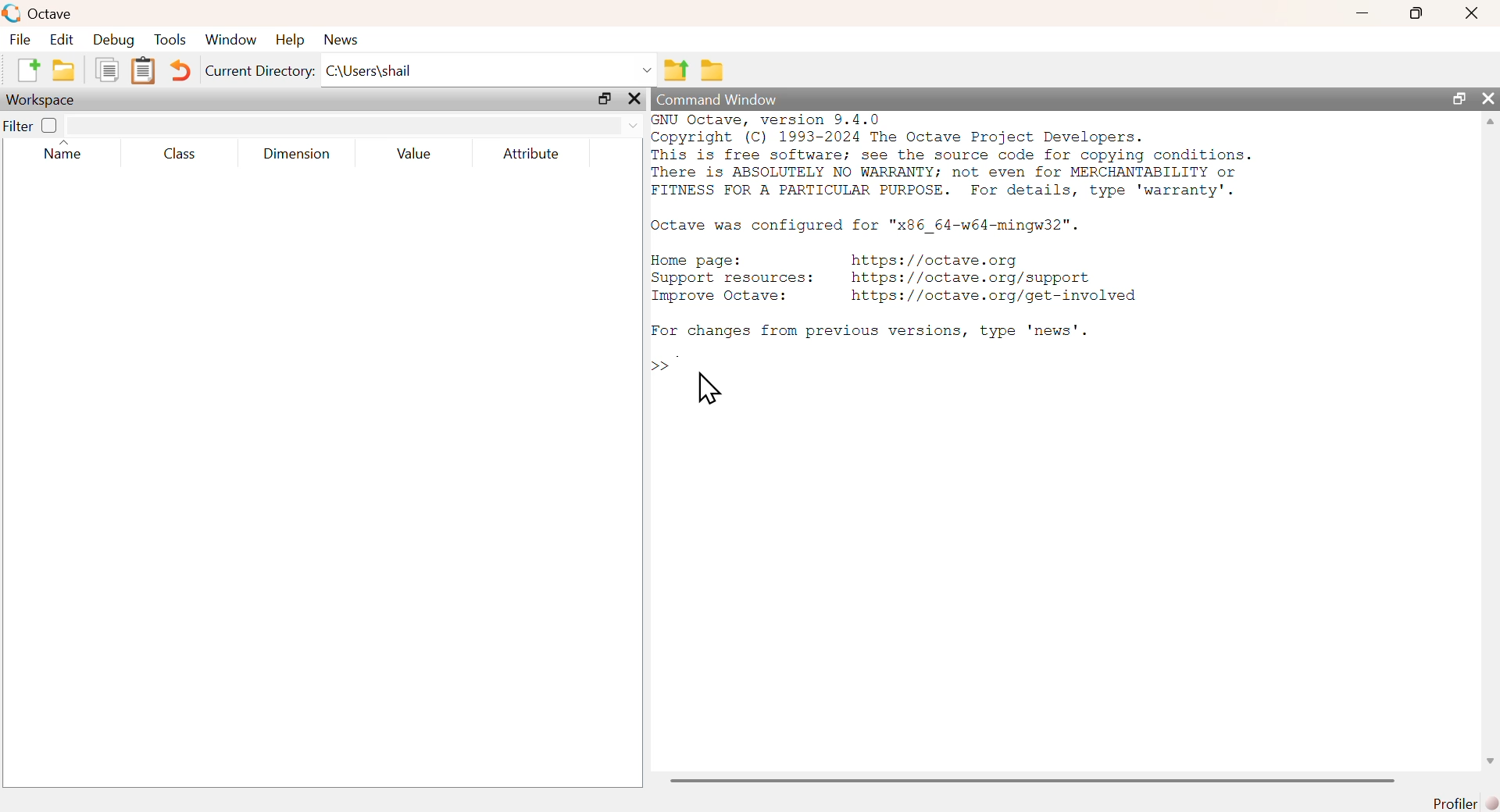  What do you see at coordinates (341, 40) in the screenshot?
I see `news` at bounding box center [341, 40].